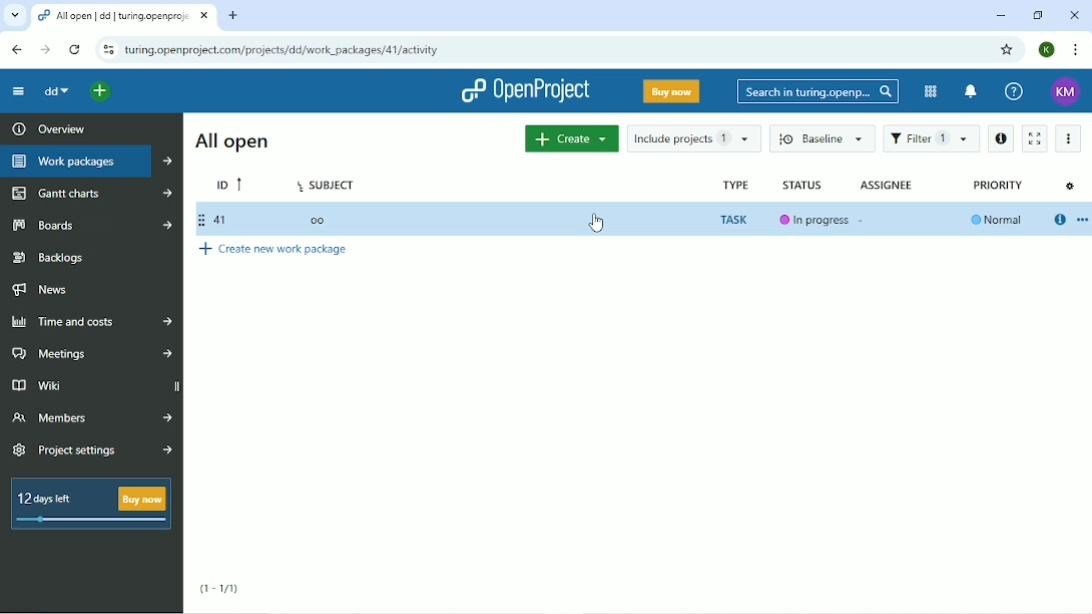 This screenshot has width=1092, height=614. I want to click on Normal, so click(997, 221).